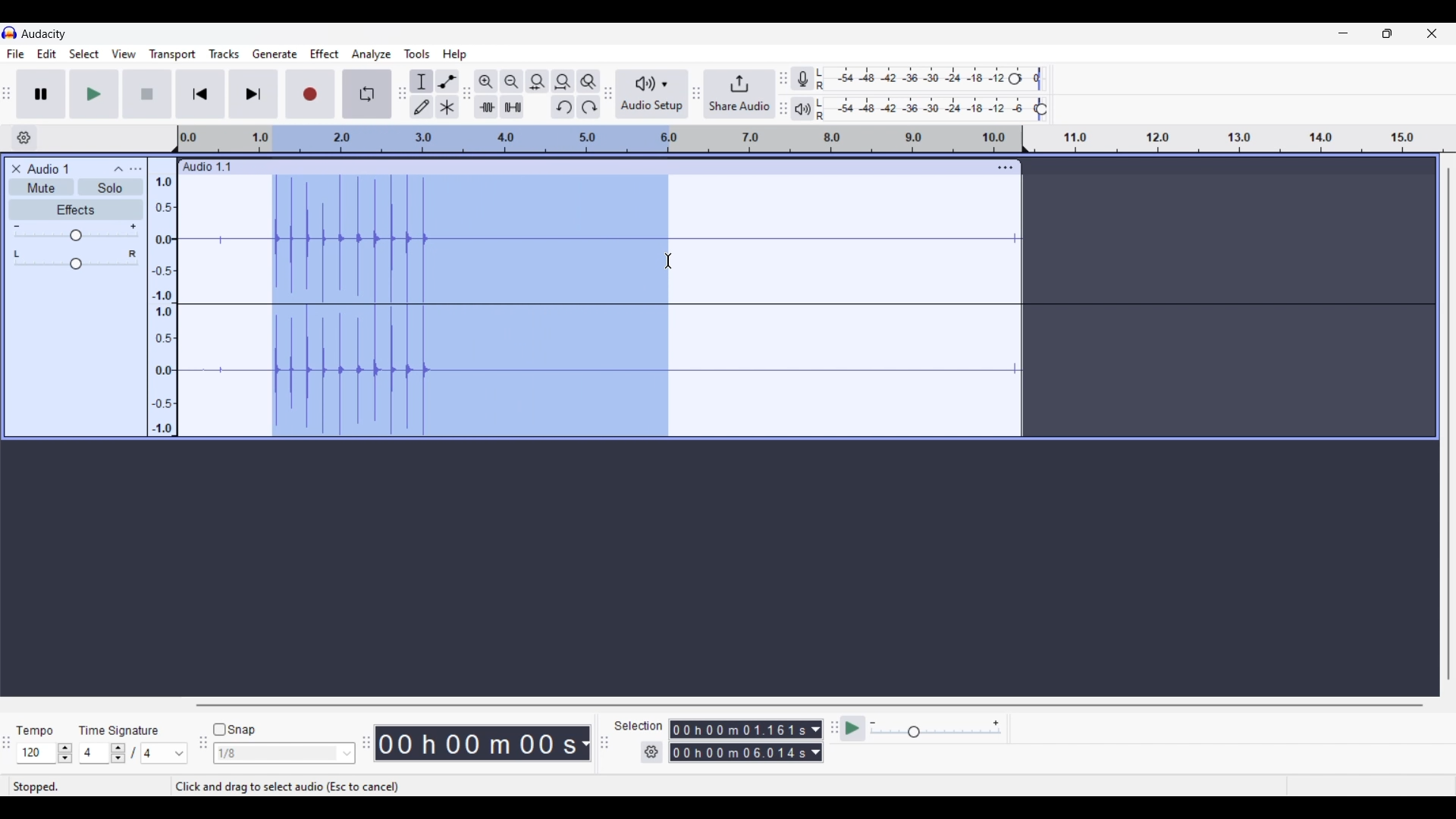  What do you see at coordinates (1006, 167) in the screenshot?
I see `Track settings` at bounding box center [1006, 167].